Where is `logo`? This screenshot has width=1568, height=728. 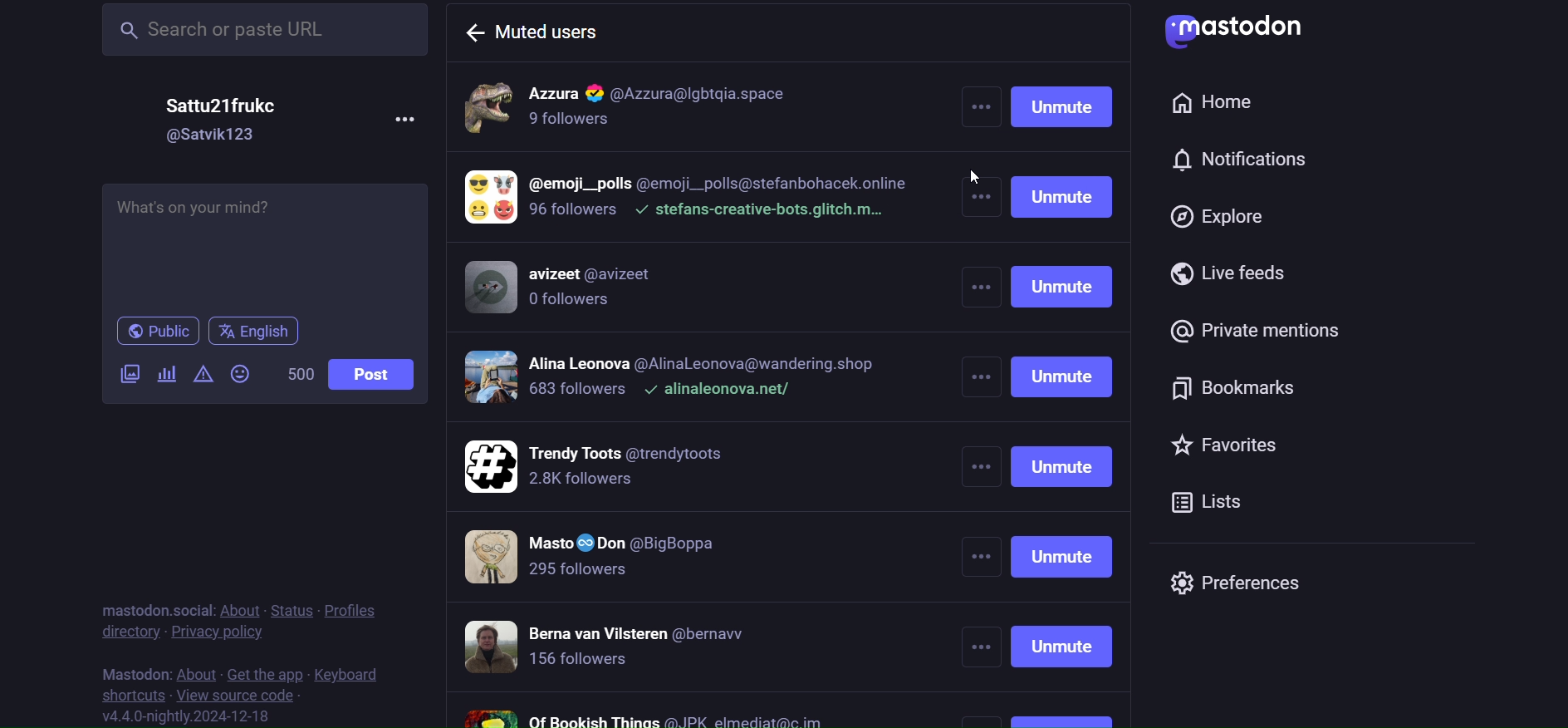 logo is located at coordinates (1248, 32).